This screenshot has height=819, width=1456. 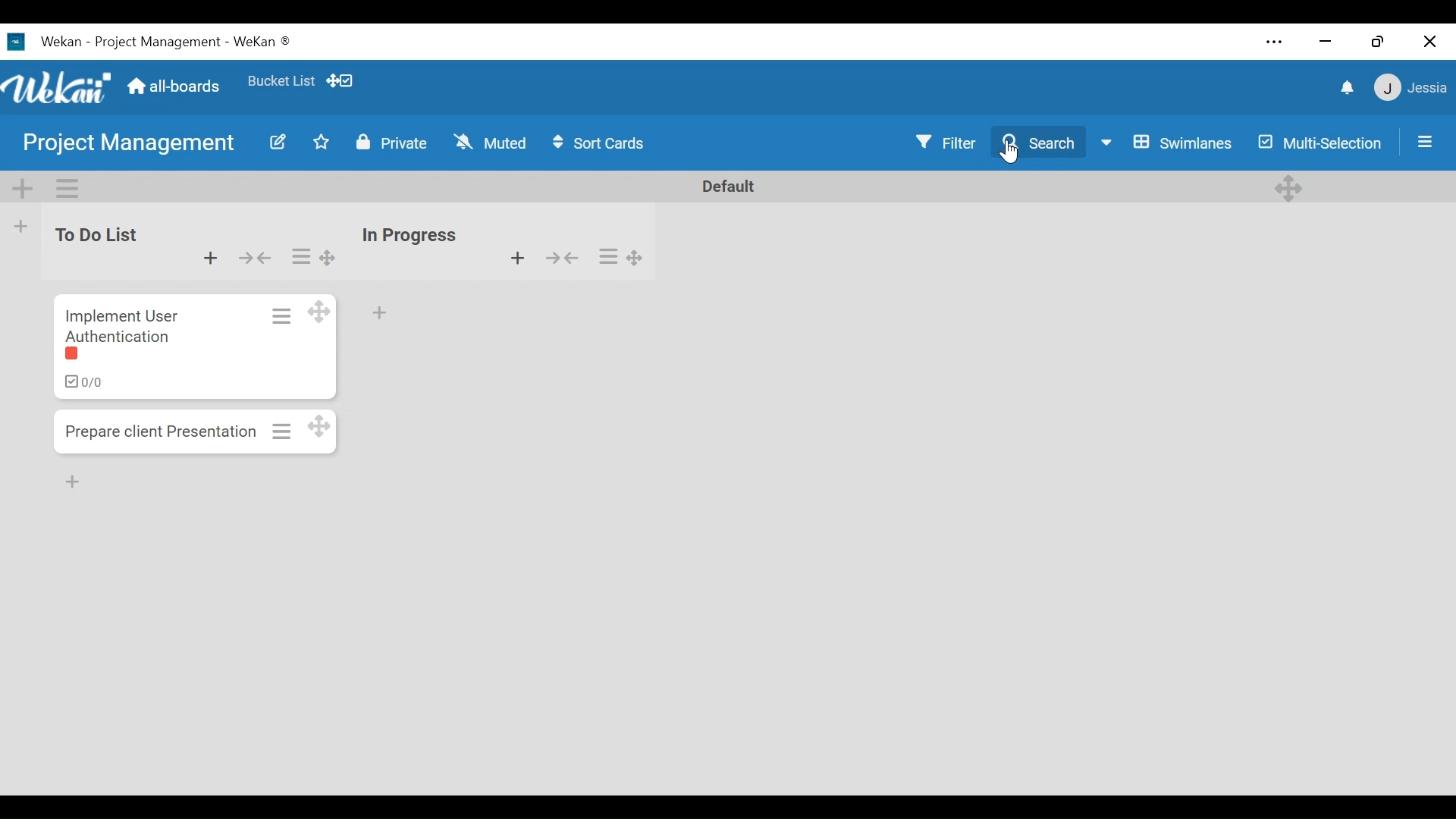 I want to click on list actions, so click(x=301, y=257).